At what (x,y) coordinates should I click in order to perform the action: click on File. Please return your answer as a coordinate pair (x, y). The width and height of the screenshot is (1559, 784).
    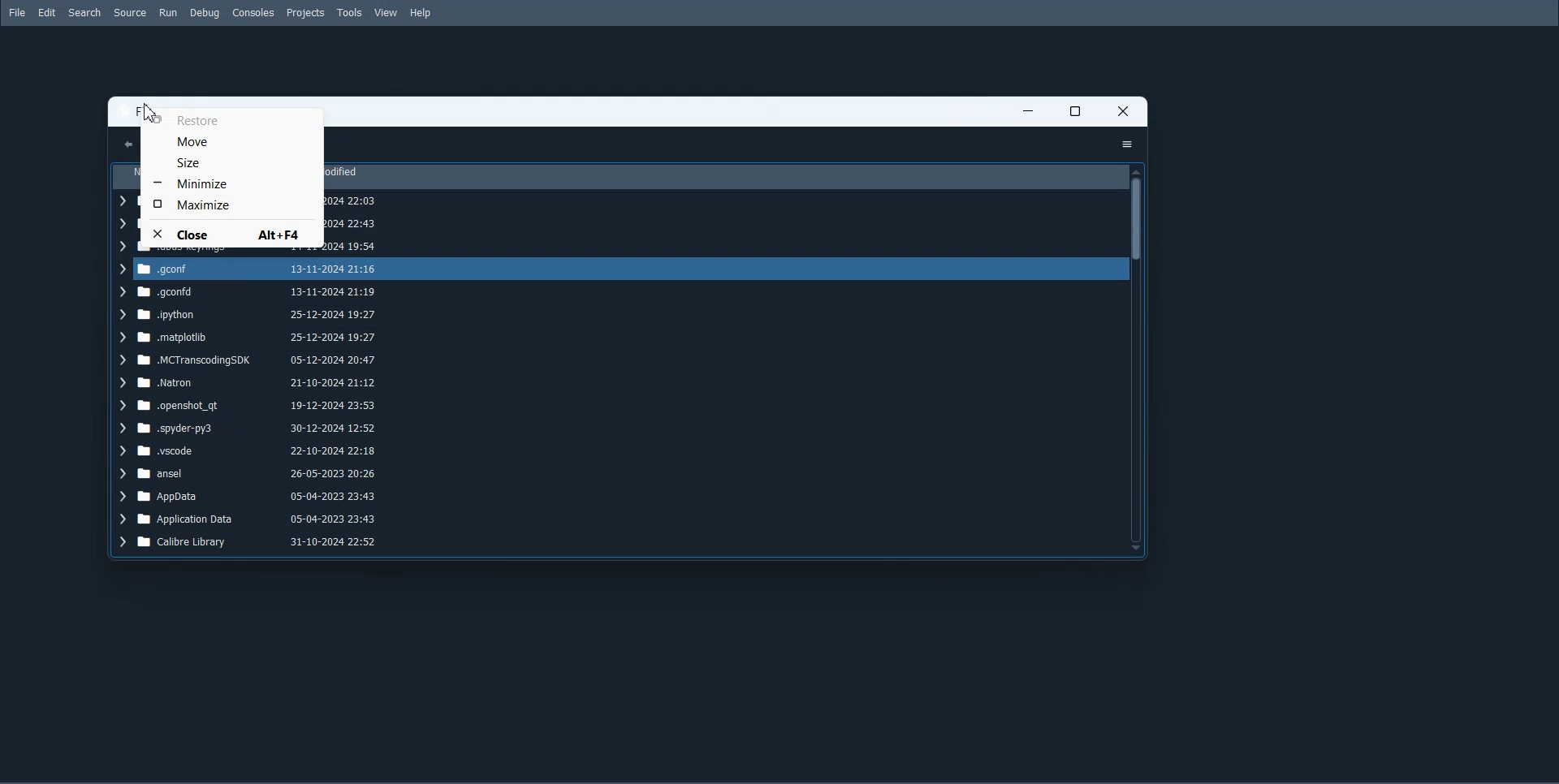
    Looking at the image, I should click on (17, 12).